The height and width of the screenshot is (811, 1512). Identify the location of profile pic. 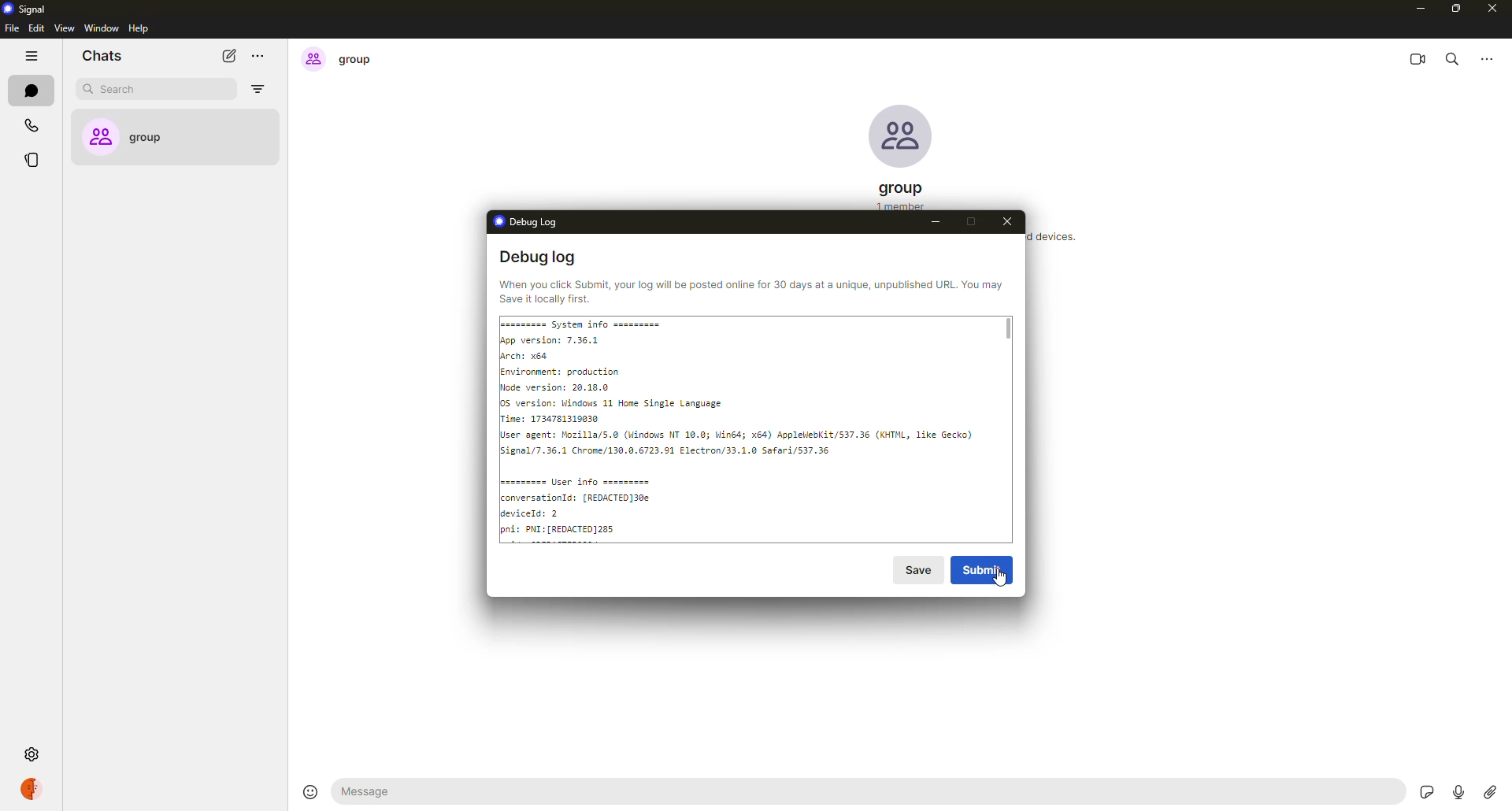
(901, 137).